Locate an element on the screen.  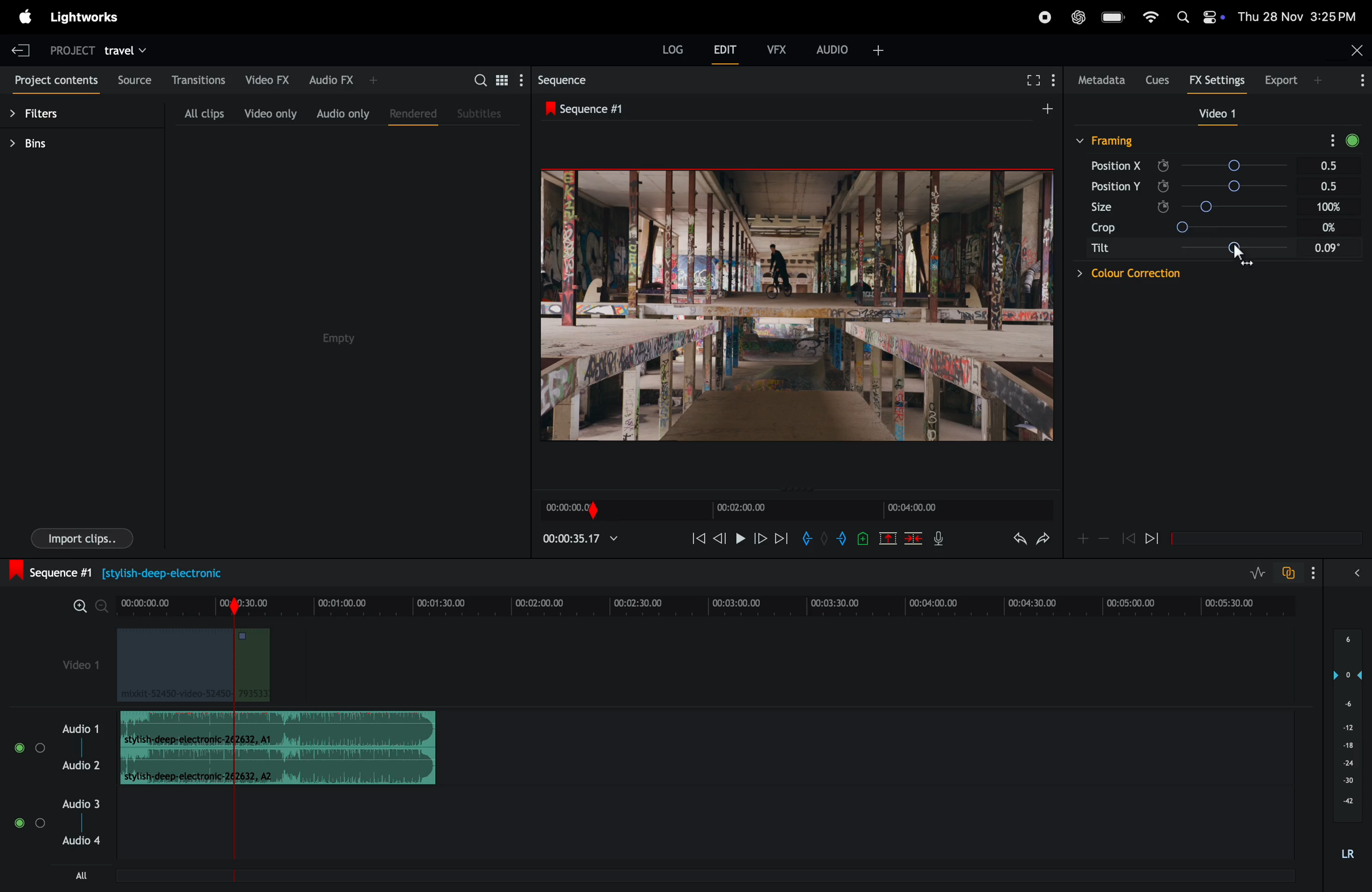
Enable/Disable keyframe is located at coordinates (1160, 164).